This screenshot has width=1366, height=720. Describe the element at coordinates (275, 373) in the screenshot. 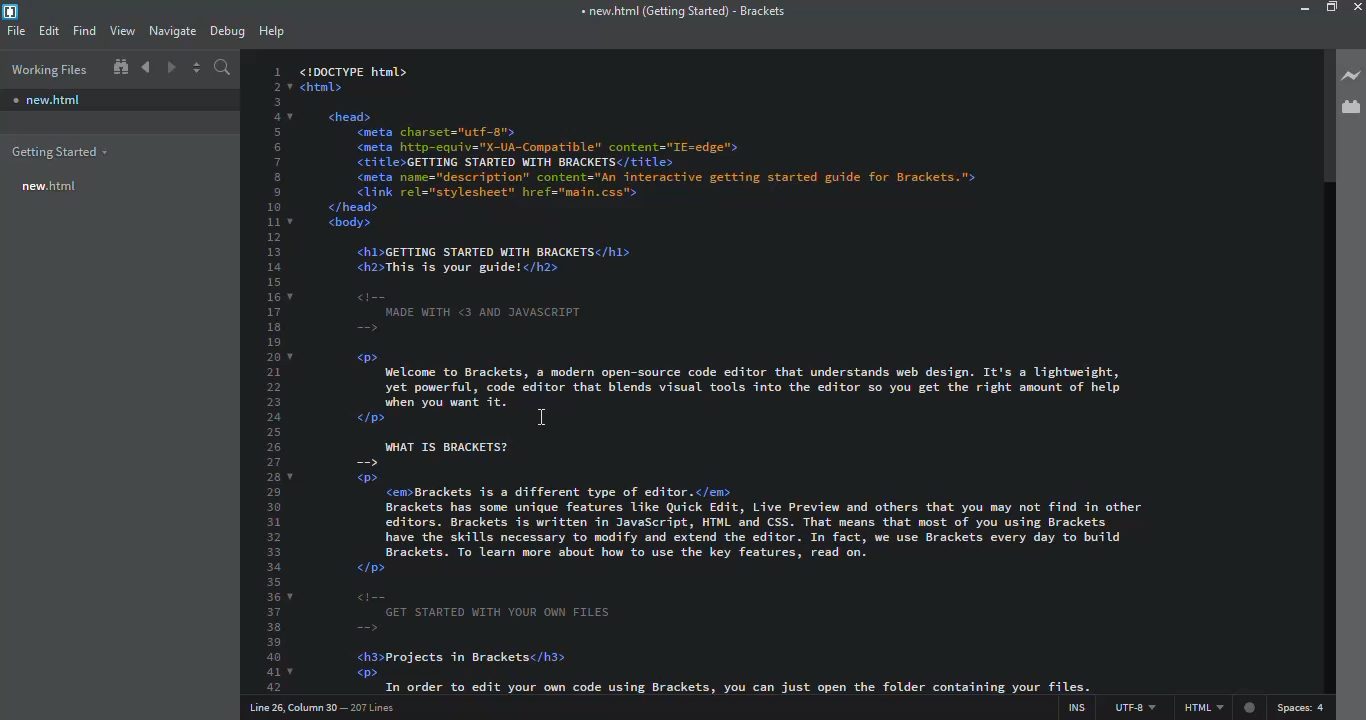

I see `line number` at that location.